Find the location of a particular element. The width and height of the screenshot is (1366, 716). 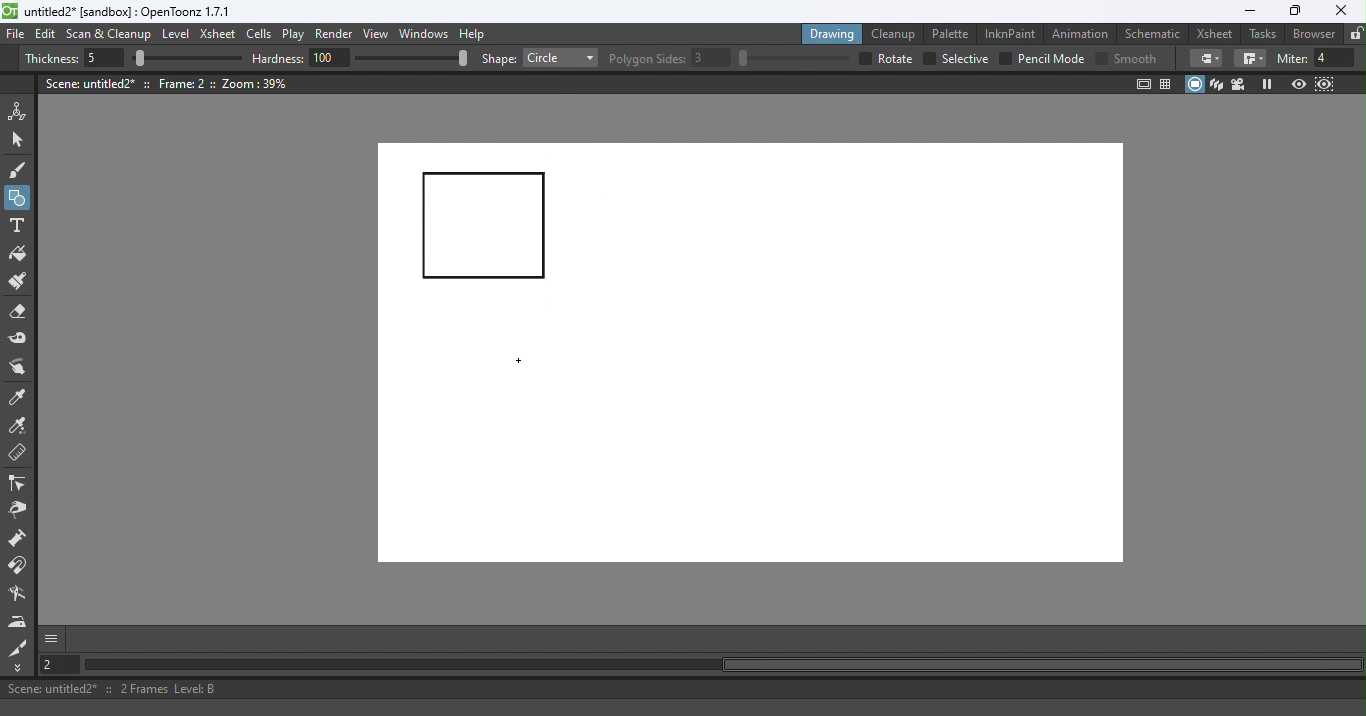

smooth is located at coordinates (1138, 58).